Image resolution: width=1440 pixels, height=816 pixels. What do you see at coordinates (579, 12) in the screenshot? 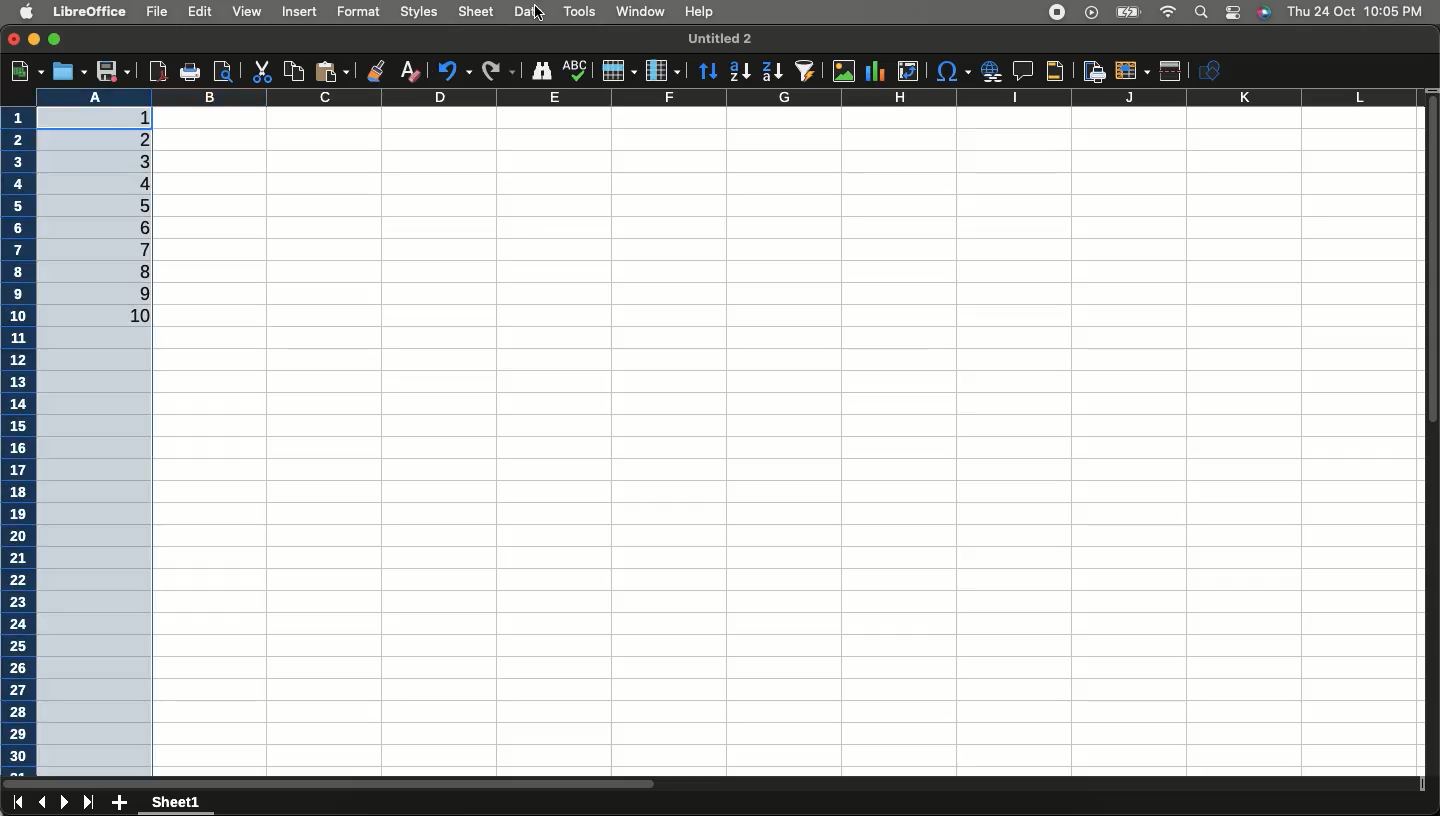
I see `Tools` at bounding box center [579, 12].